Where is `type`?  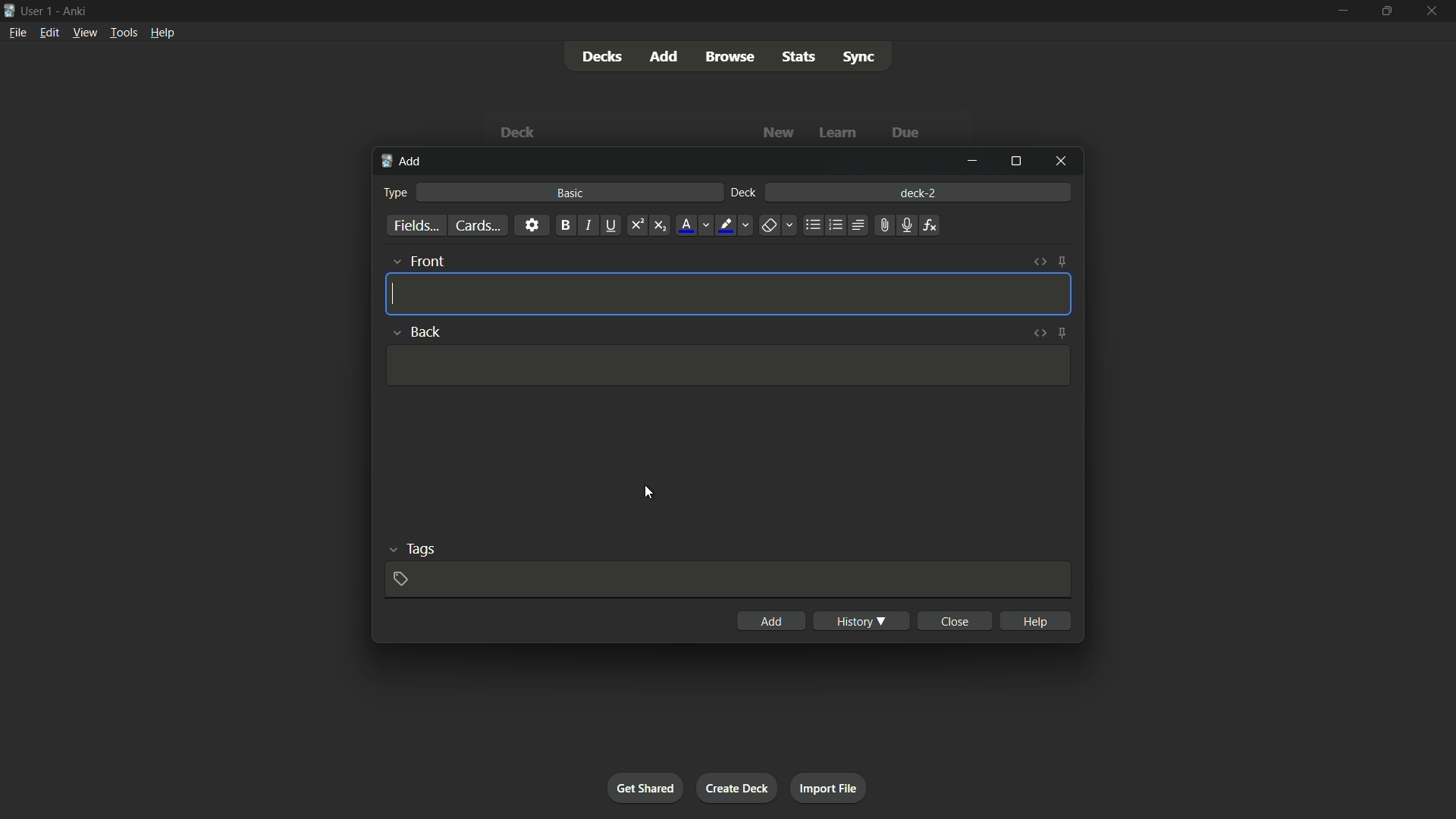 type is located at coordinates (397, 193).